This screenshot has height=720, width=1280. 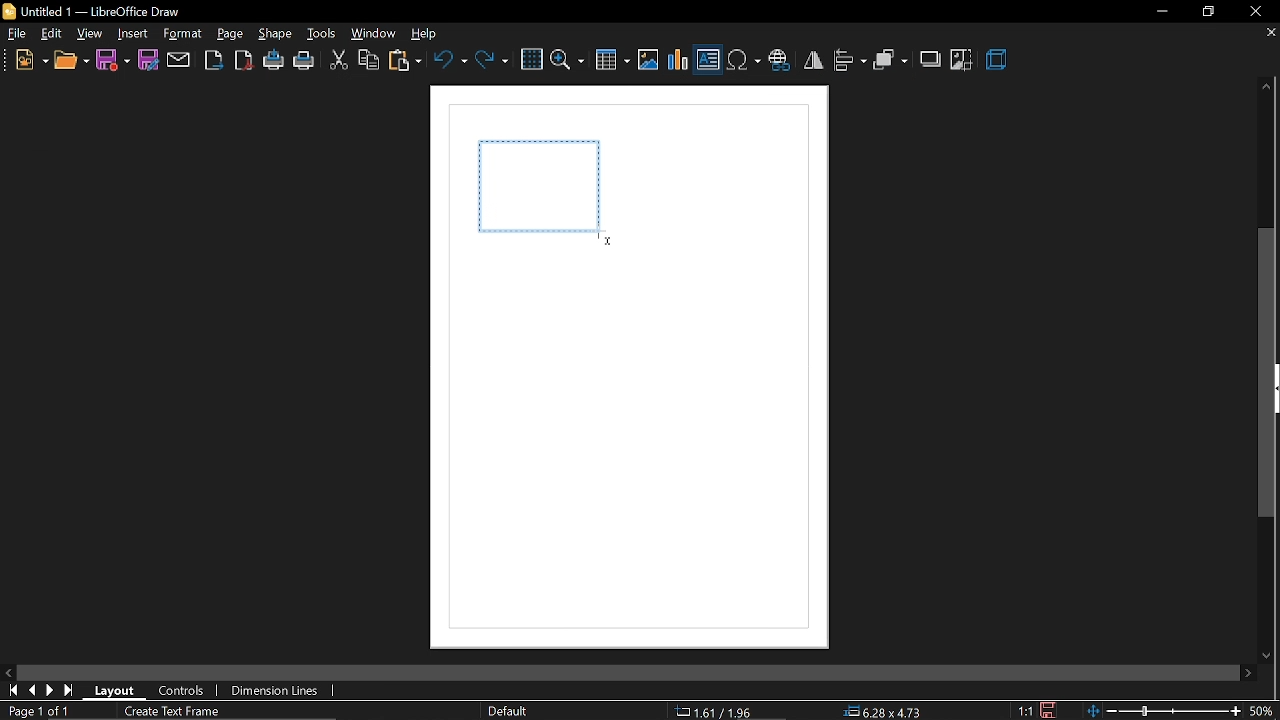 What do you see at coordinates (492, 59) in the screenshot?
I see `redo` at bounding box center [492, 59].